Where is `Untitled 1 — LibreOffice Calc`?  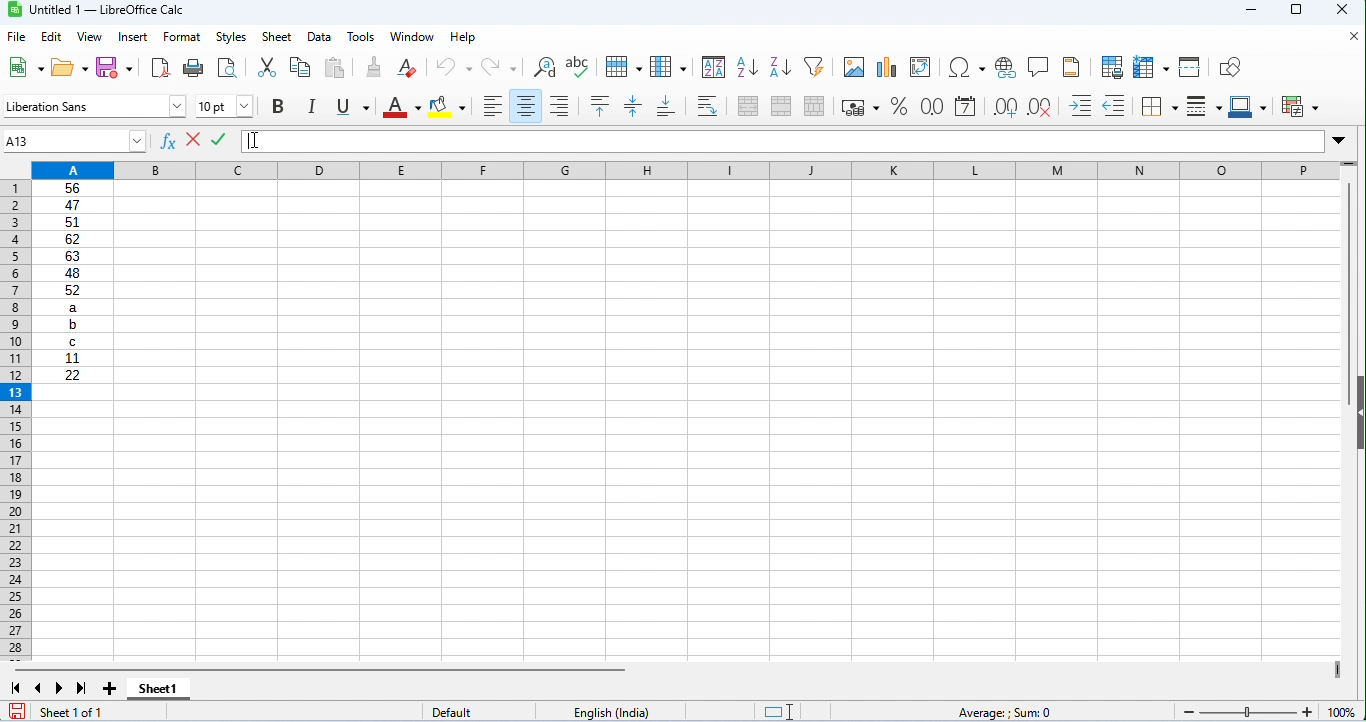 Untitled 1 — LibreOffice Calc is located at coordinates (107, 10).